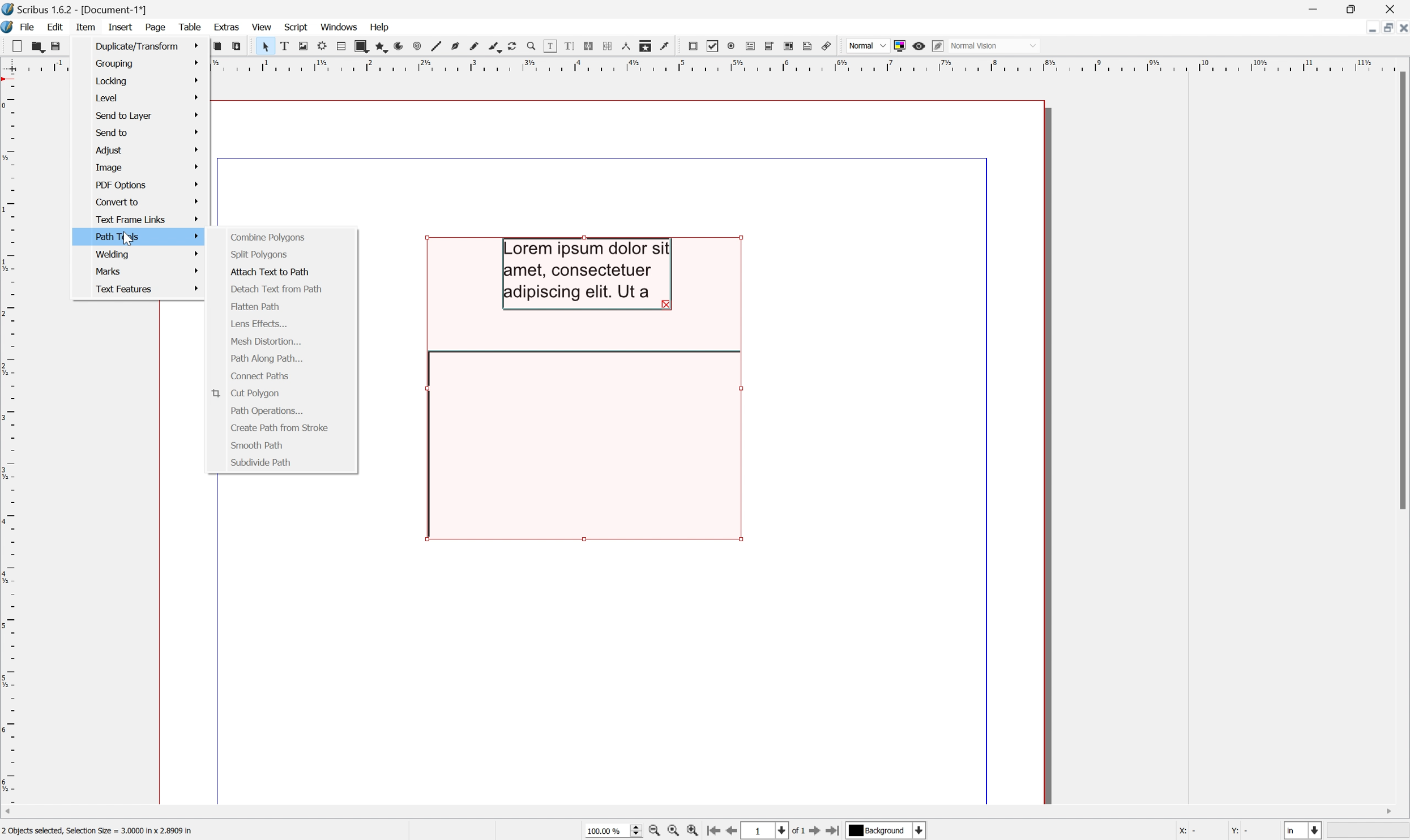 Image resolution: width=1410 pixels, height=840 pixels. What do you see at coordinates (380, 44) in the screenshot?
I see `Polygon` at bounding box center [380, 44].